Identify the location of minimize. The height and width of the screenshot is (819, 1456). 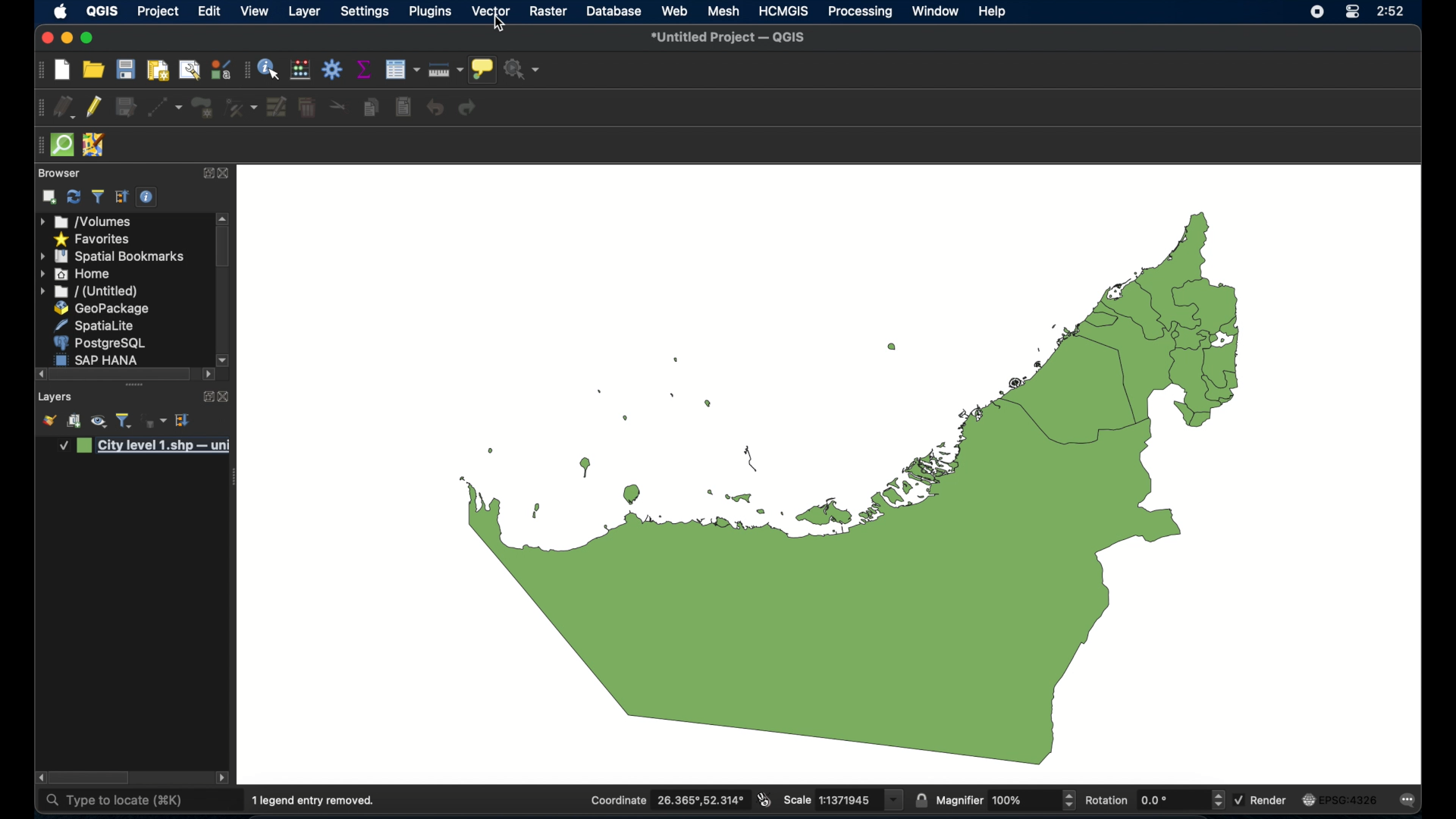
(65, 39).